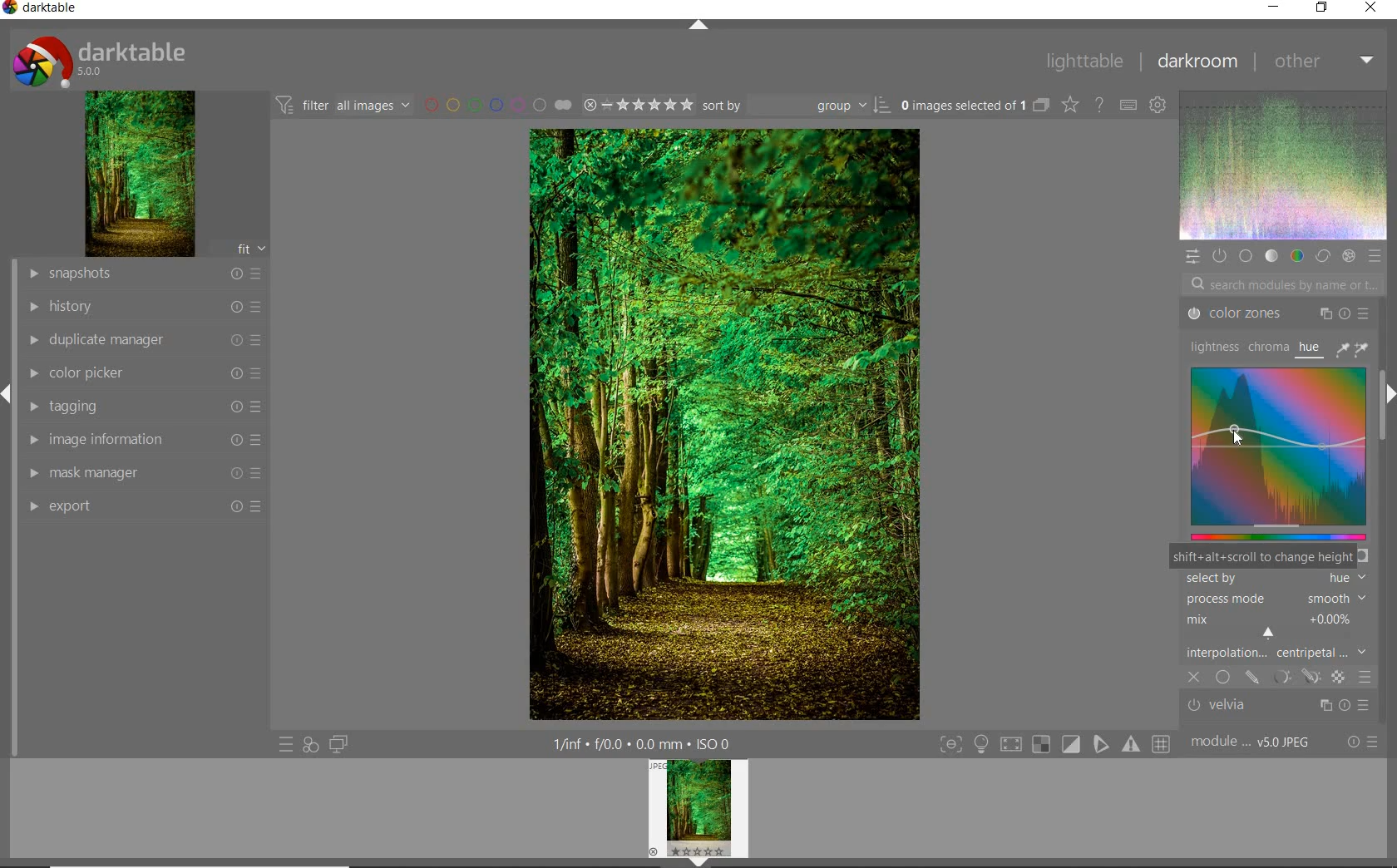 This screenshot has height=868, width=1397. What do you see at coordinates (1281, 598) in the screenshot?
I see `process mode` at bounding box center [1281, 598].